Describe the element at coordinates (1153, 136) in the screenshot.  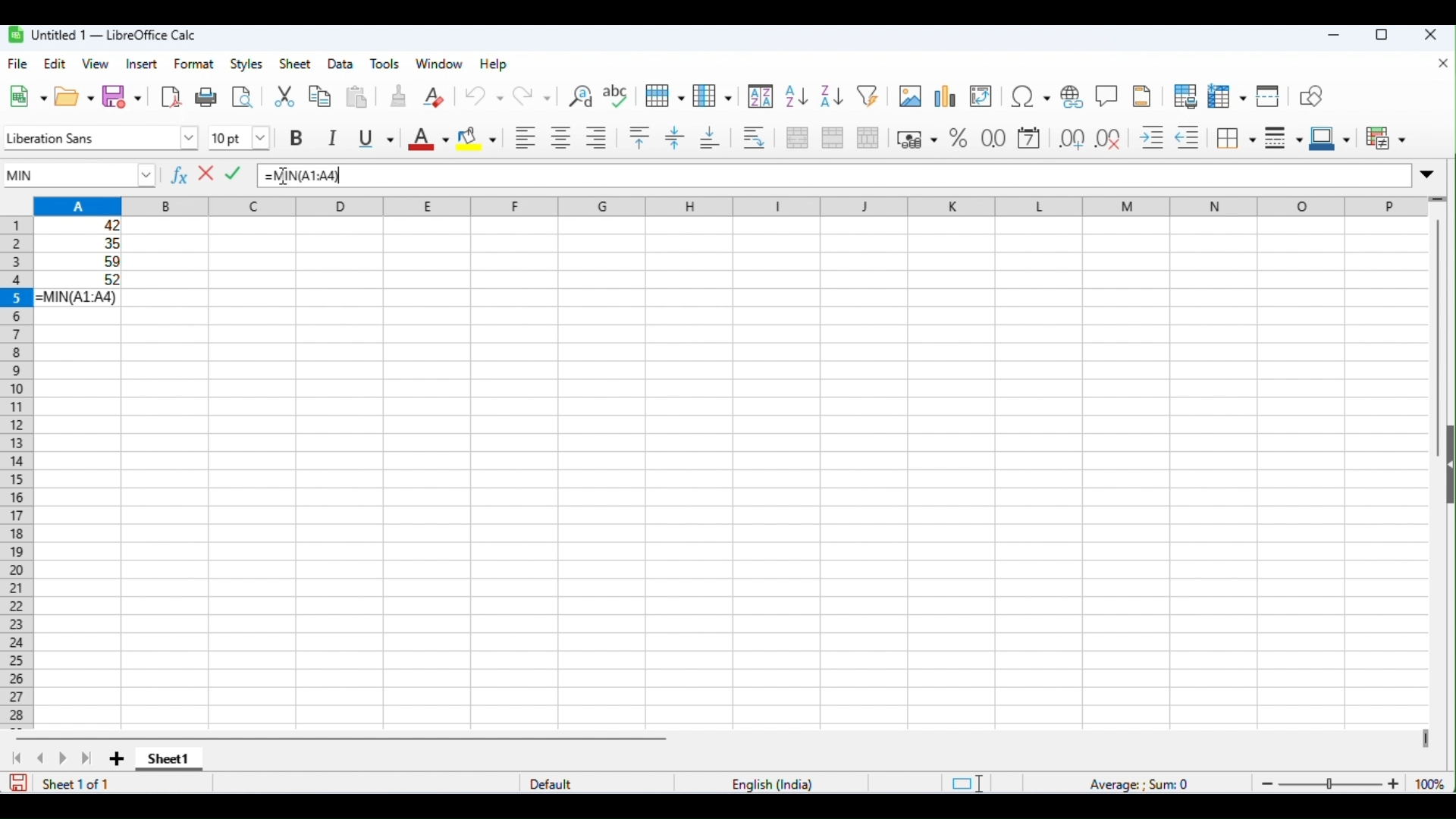
I see `increase indent` at that location.